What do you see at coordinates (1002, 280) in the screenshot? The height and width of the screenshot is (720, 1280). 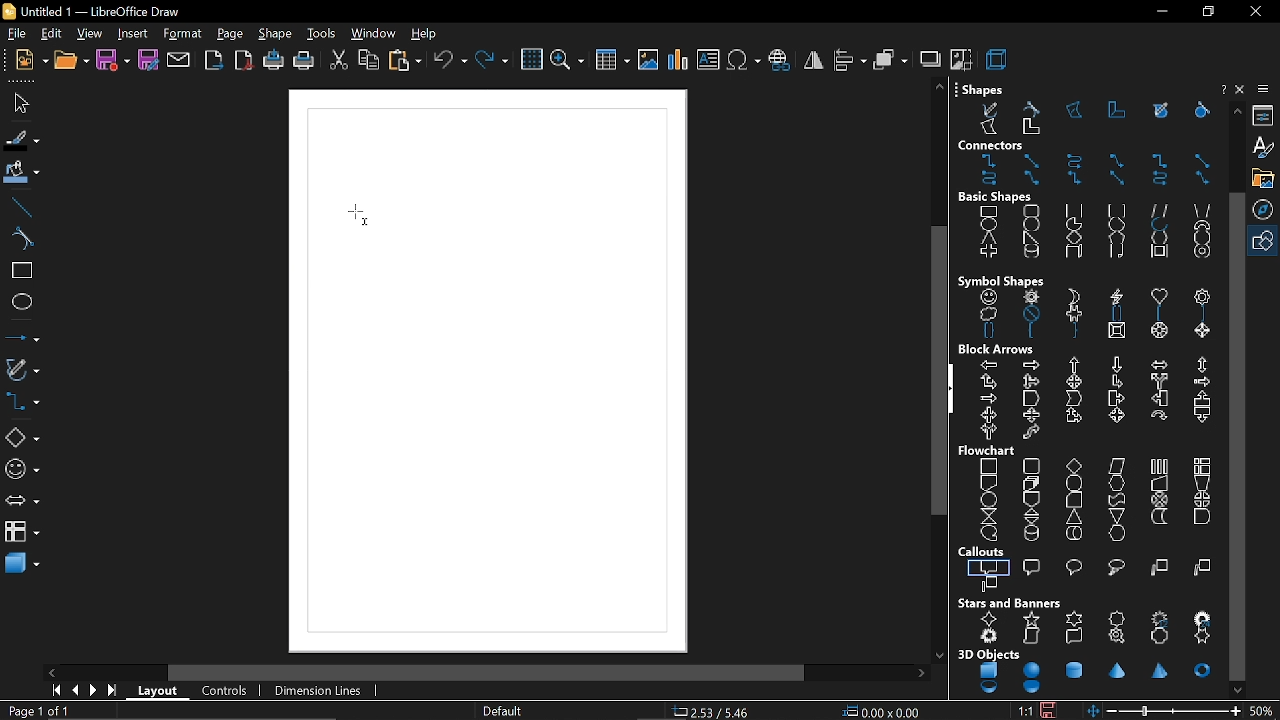 I see `symbol shapes` at bounding box center [1002, 280].